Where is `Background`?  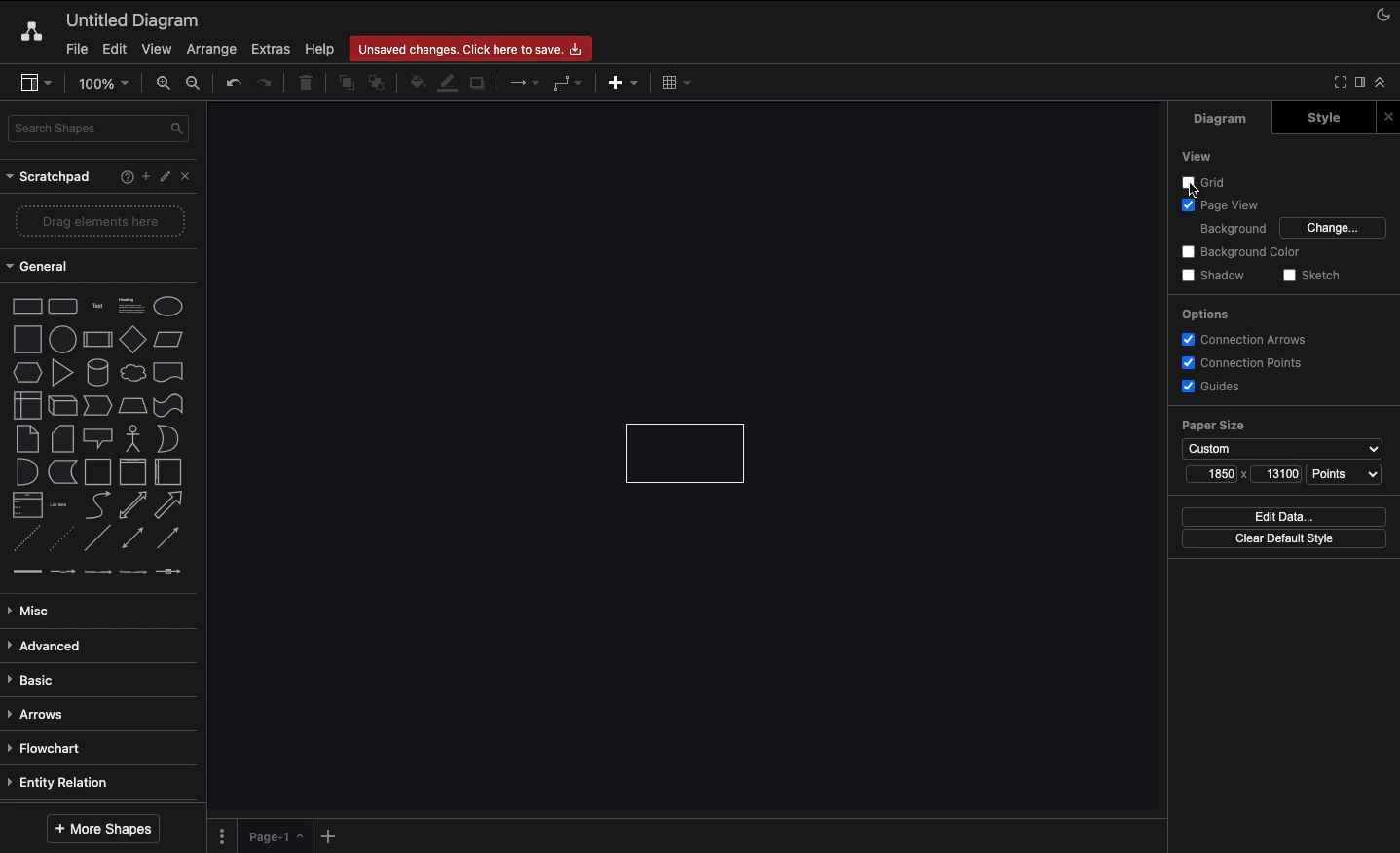
Background is located at coordinates (1234, 231).